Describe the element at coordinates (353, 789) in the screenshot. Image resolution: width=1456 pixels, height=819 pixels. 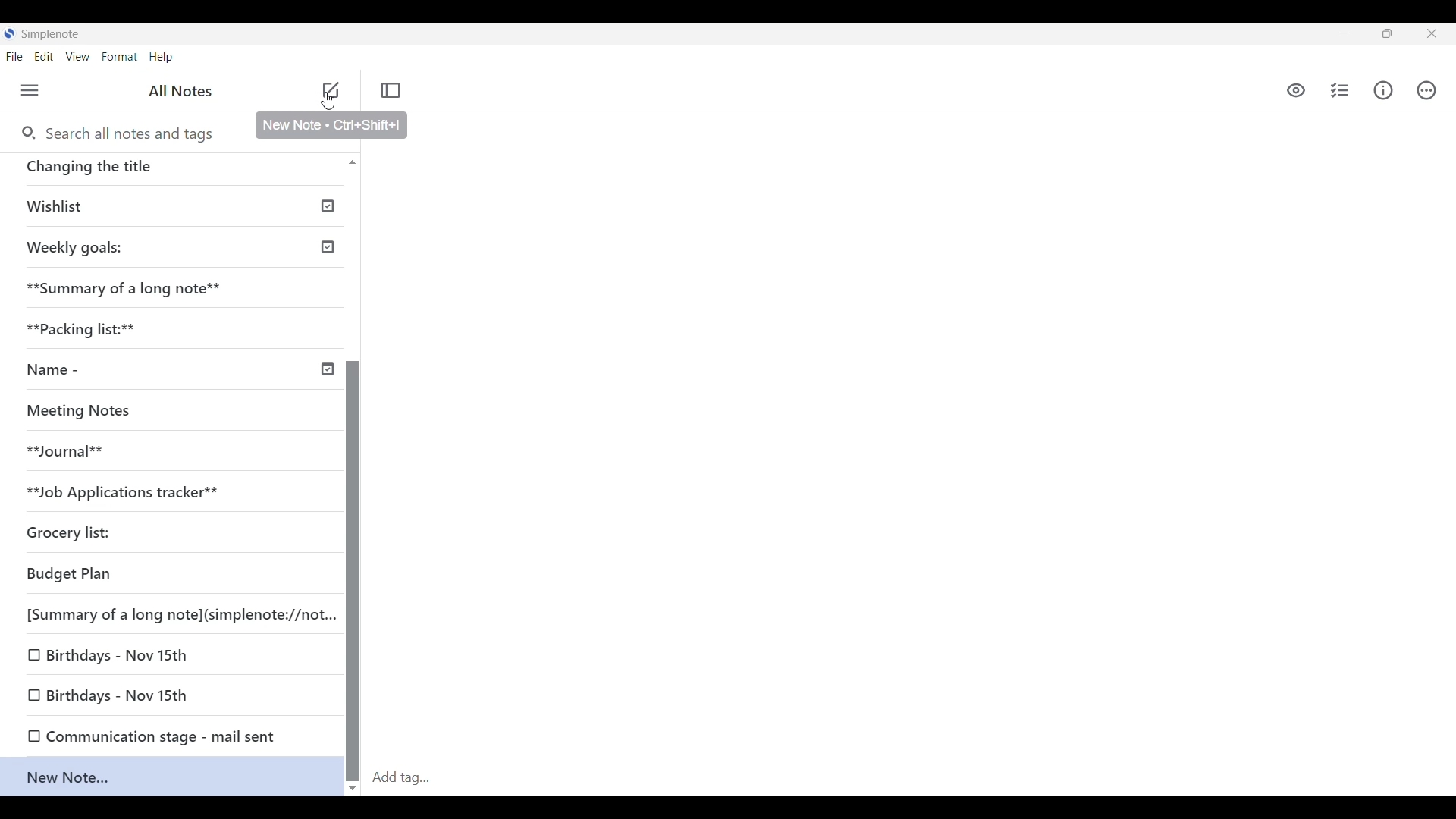
I see `Quick slide to bottom` at that location.